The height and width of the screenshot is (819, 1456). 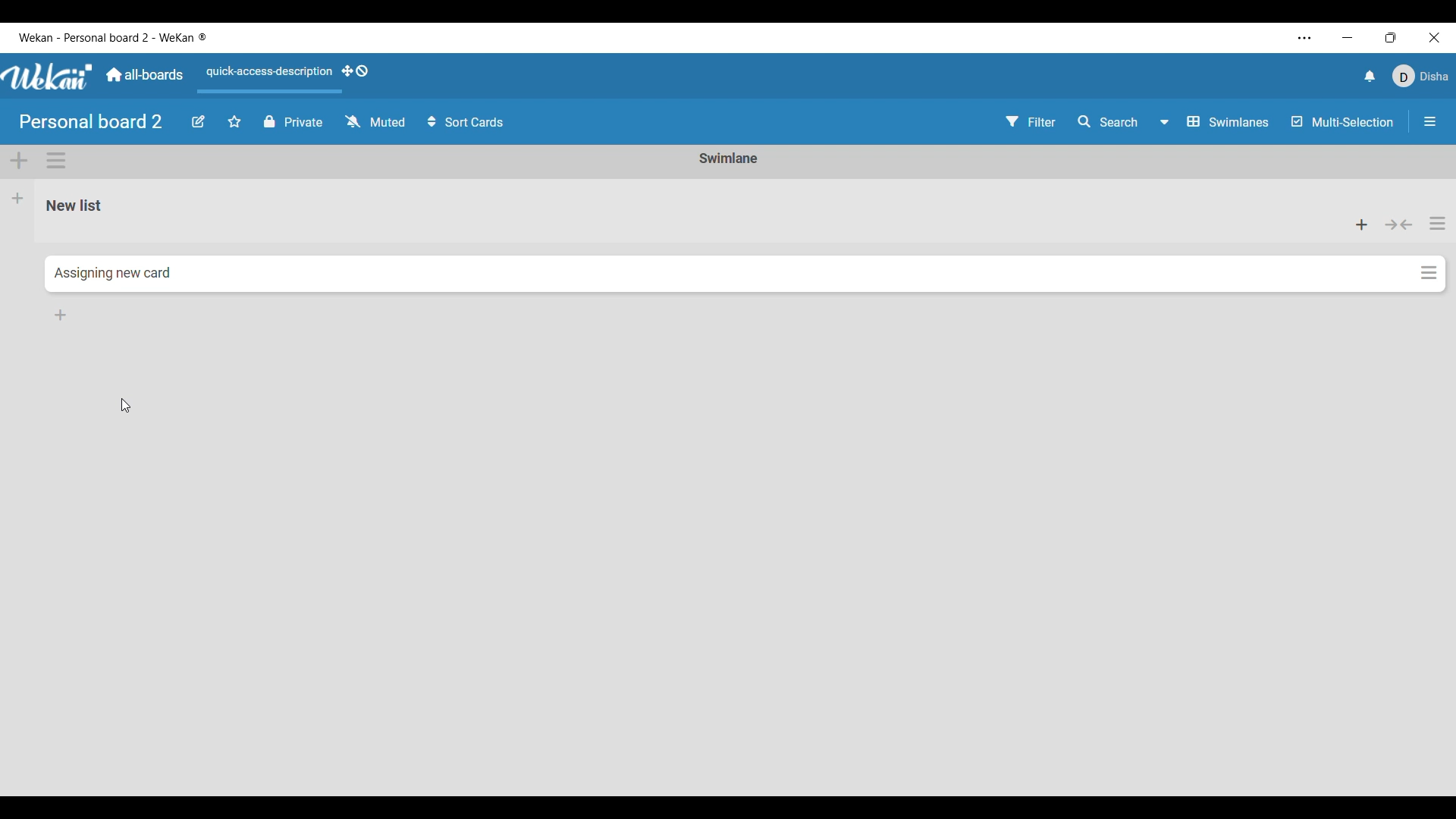 I want to click on More settings, so click(x=1305, y=38).